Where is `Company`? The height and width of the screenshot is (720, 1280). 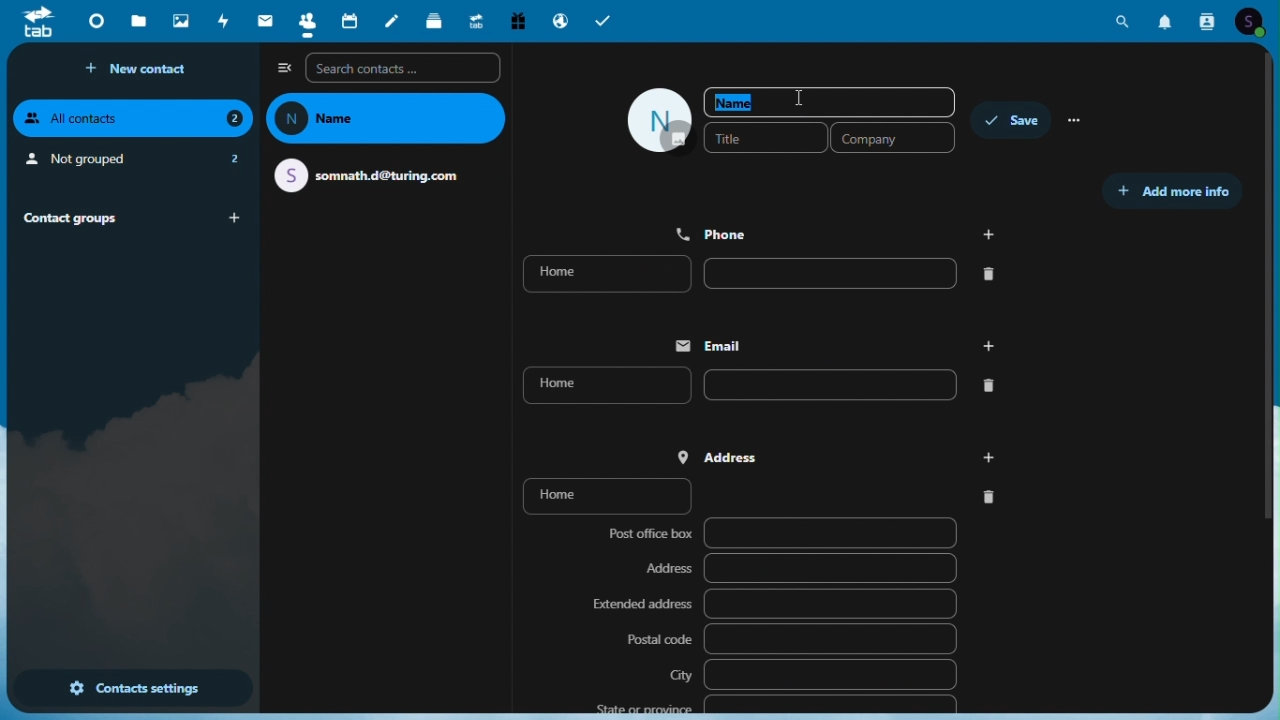
Company is located at coordinates (894, 138).